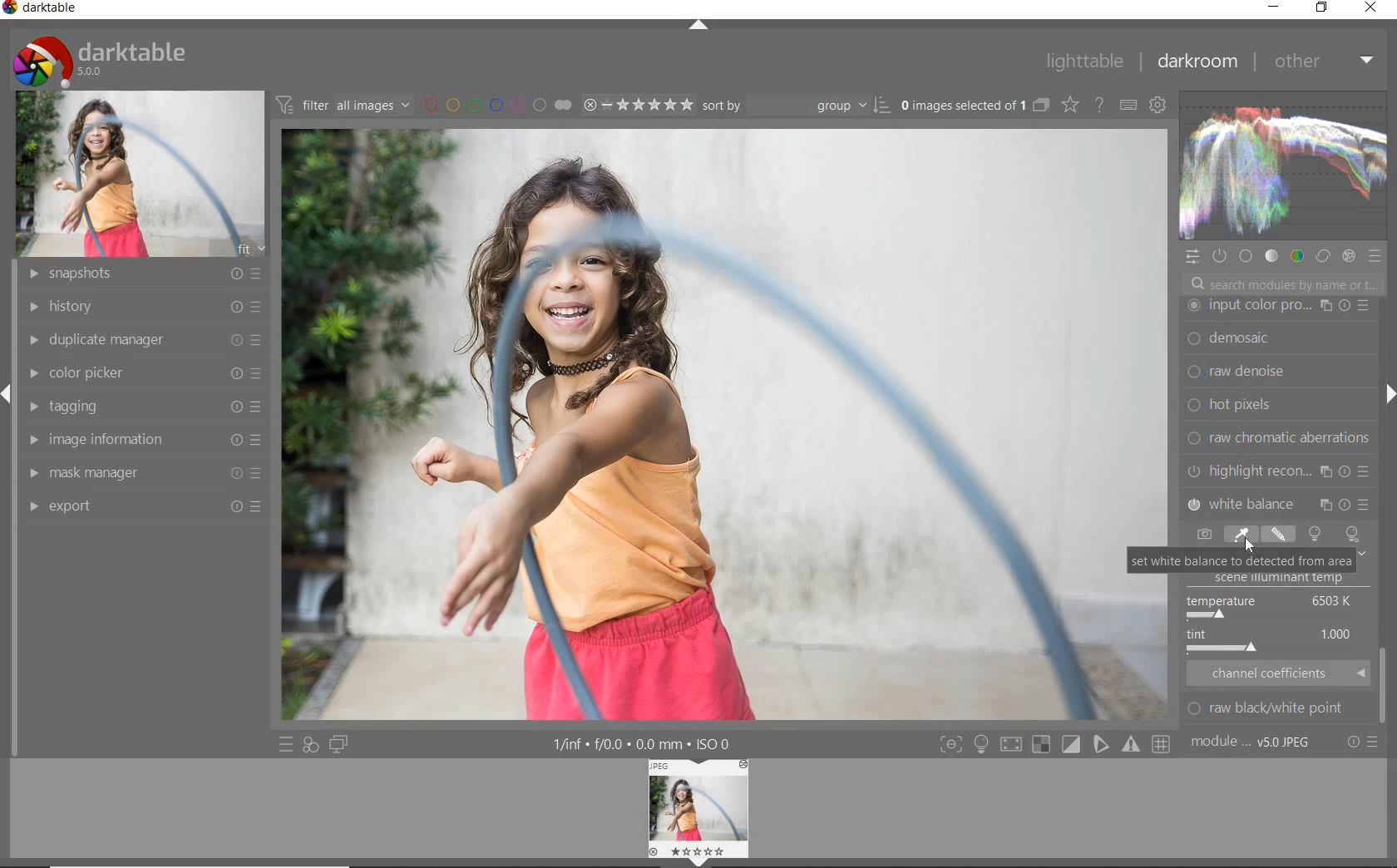  Describe the element at coordinates (343, 106) in the screenshot. I see `filter images` at that location.